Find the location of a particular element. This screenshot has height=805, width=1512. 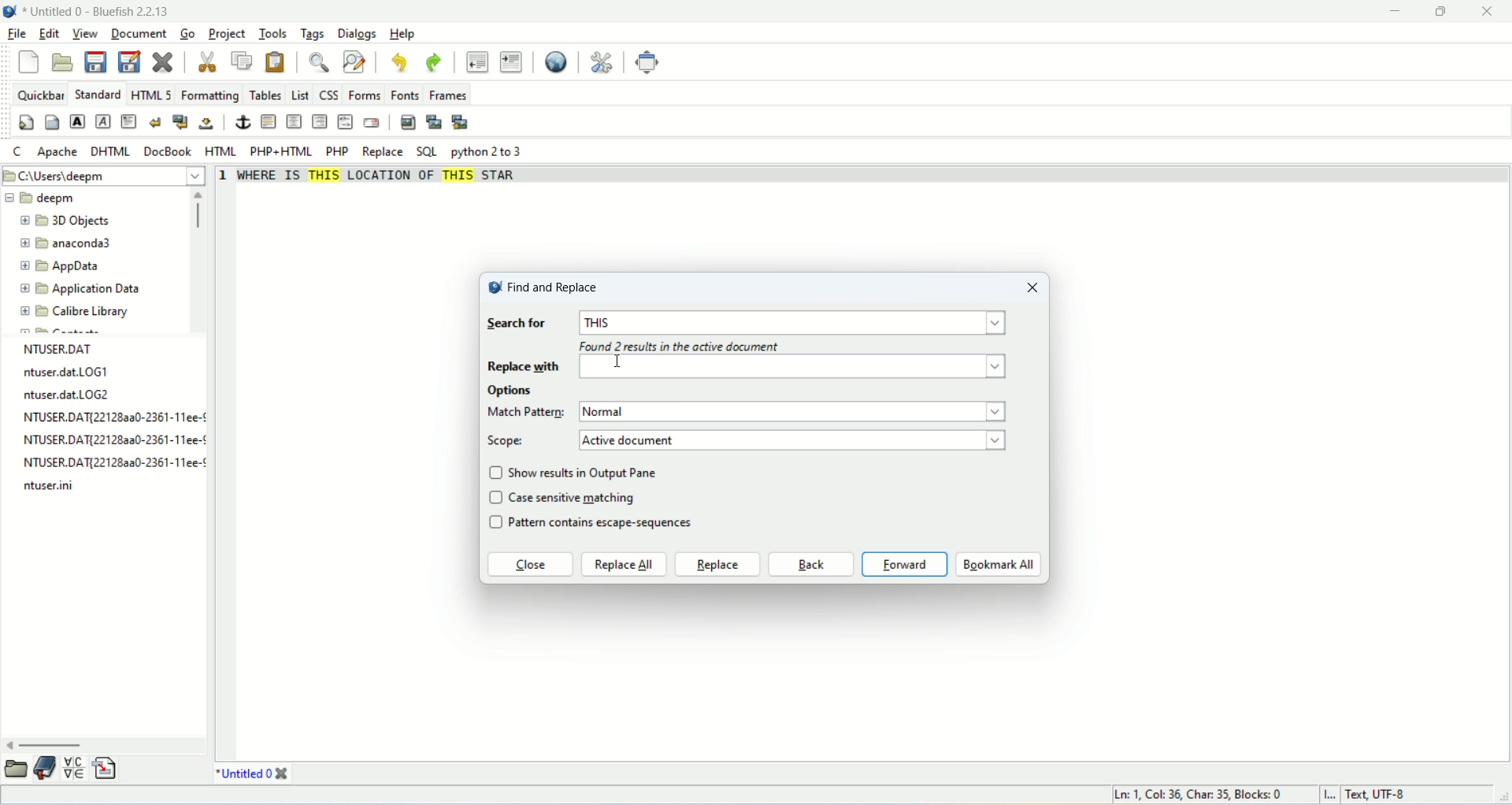

file name is located at coordinates (114, 440).